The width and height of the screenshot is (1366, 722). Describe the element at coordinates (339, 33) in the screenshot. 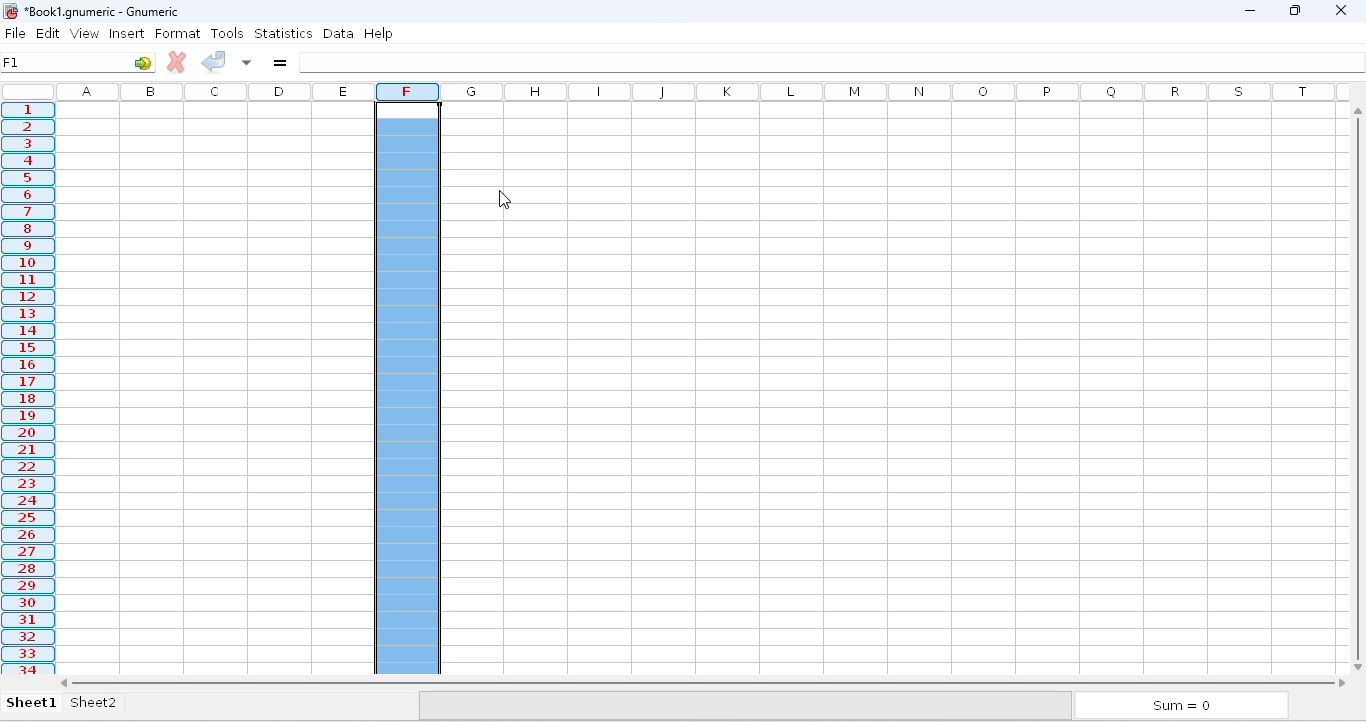

I see `data` at that location.